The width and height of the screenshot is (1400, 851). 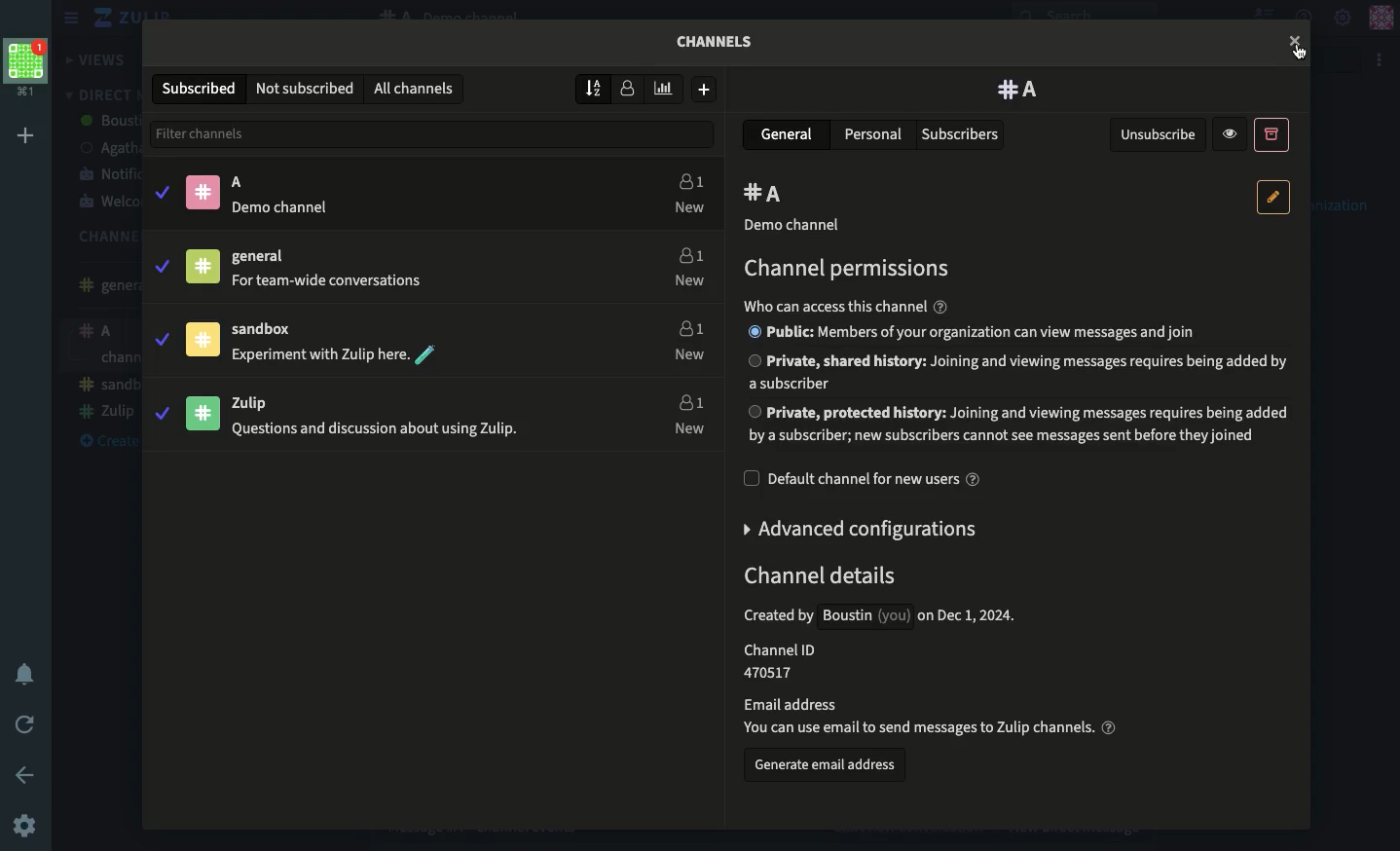 I want to click on A, so click(x=1019, y=90).